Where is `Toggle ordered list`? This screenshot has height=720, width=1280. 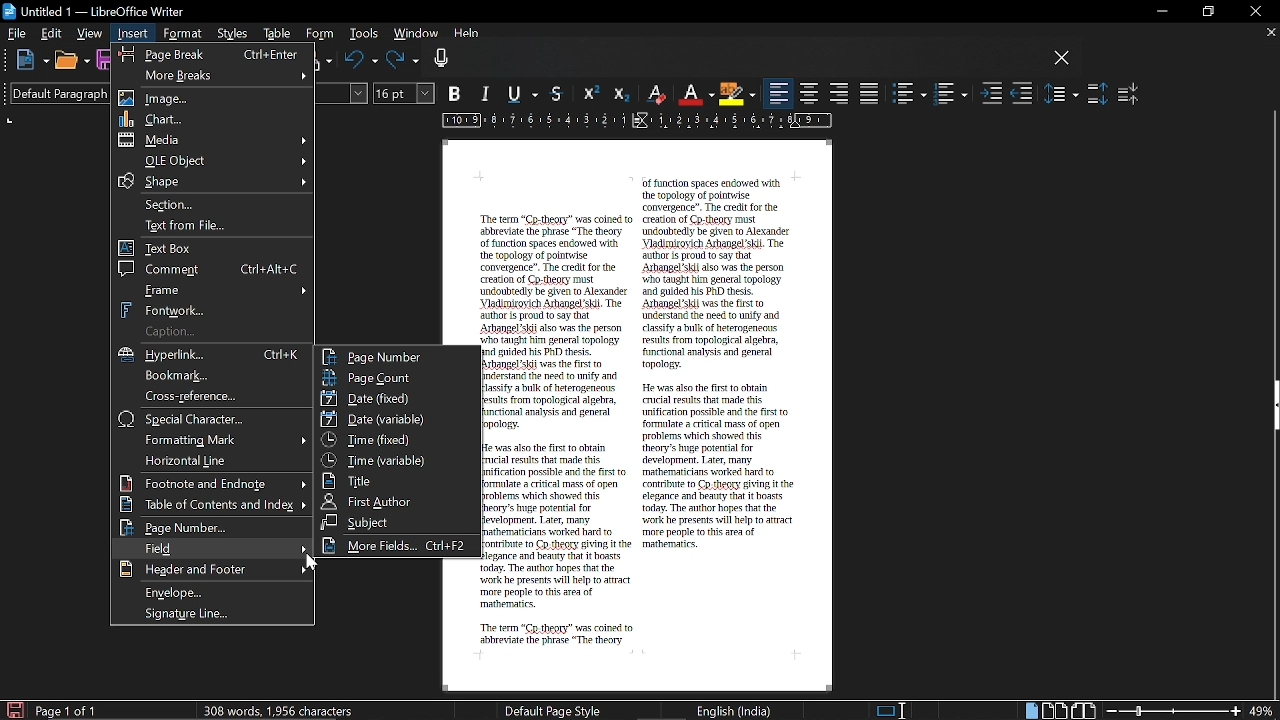 Toggle ordered list is located at coordinates (950, 94).